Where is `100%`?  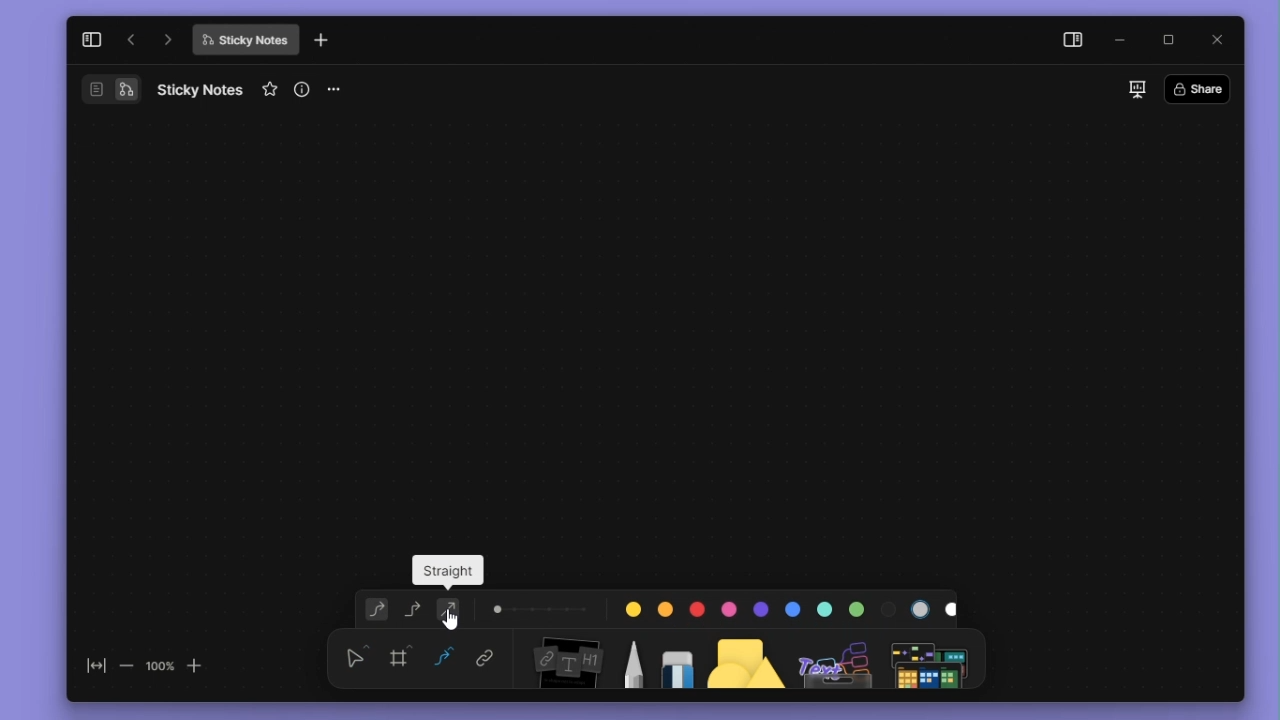 100% is located at coordinates (159, 665).